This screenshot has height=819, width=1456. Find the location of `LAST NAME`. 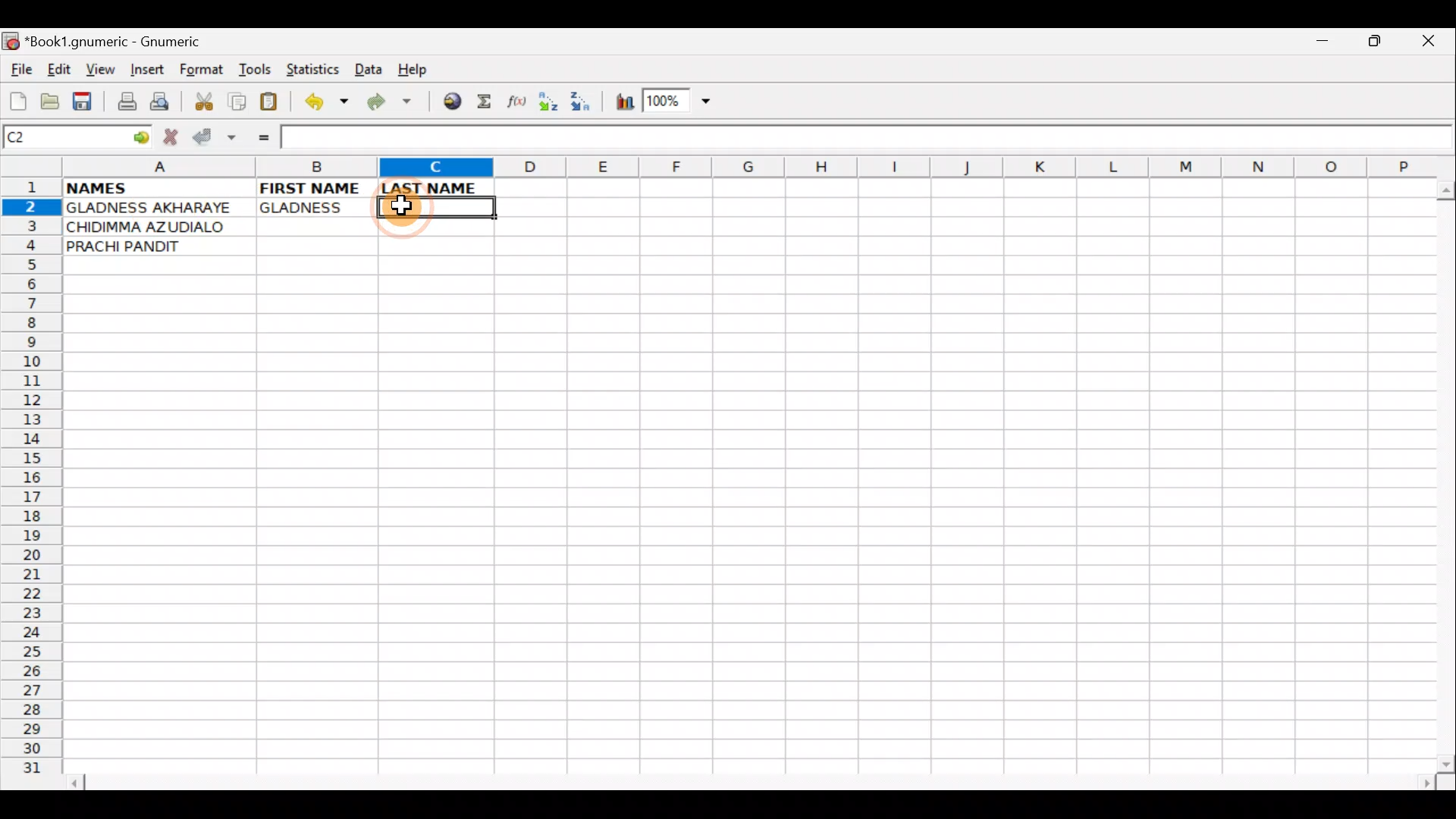

LAST NAME is located at coordinates (426, 190).